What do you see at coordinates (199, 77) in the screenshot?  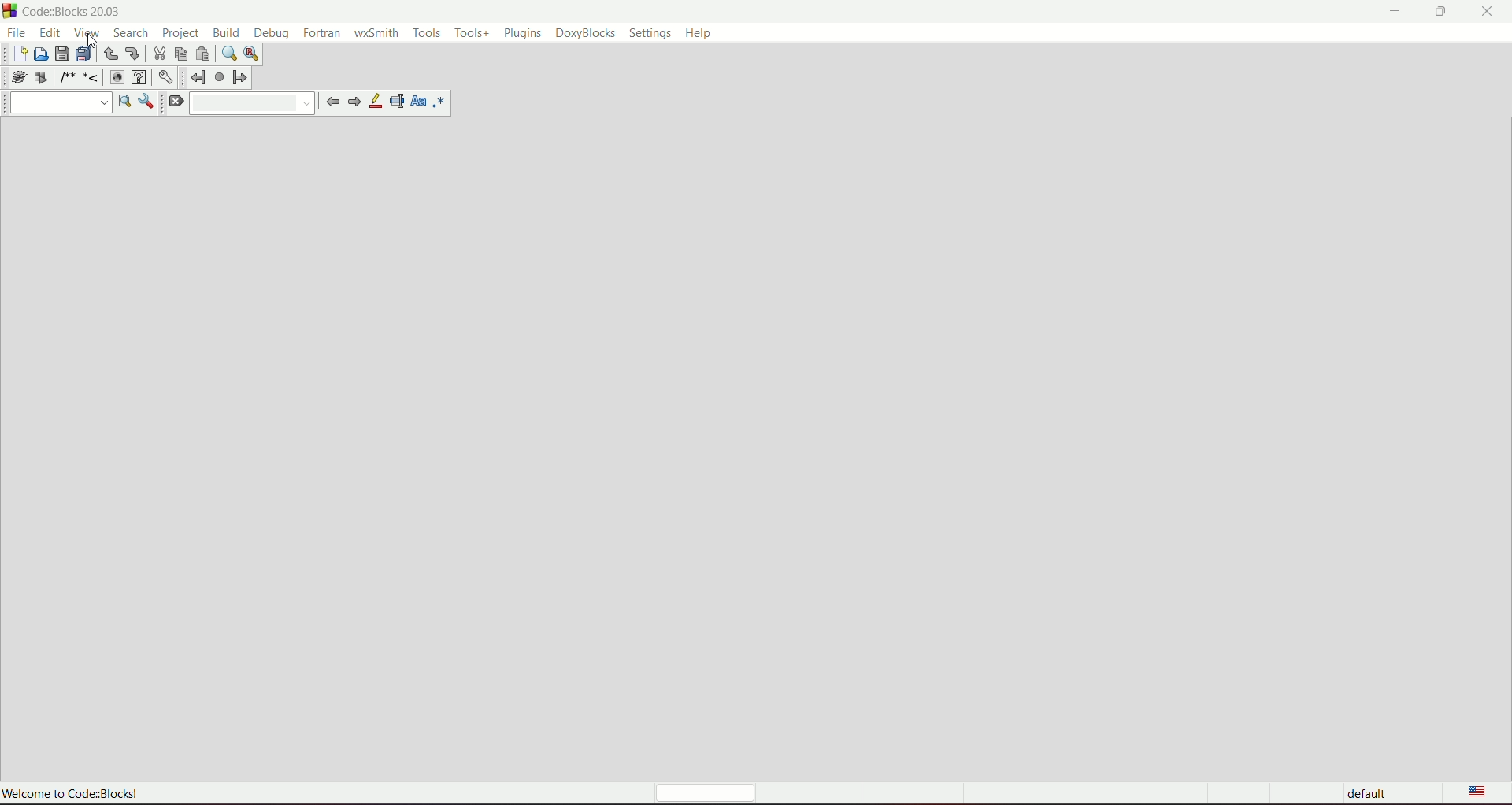 I see `jump back` at bounding box center [199, 77].